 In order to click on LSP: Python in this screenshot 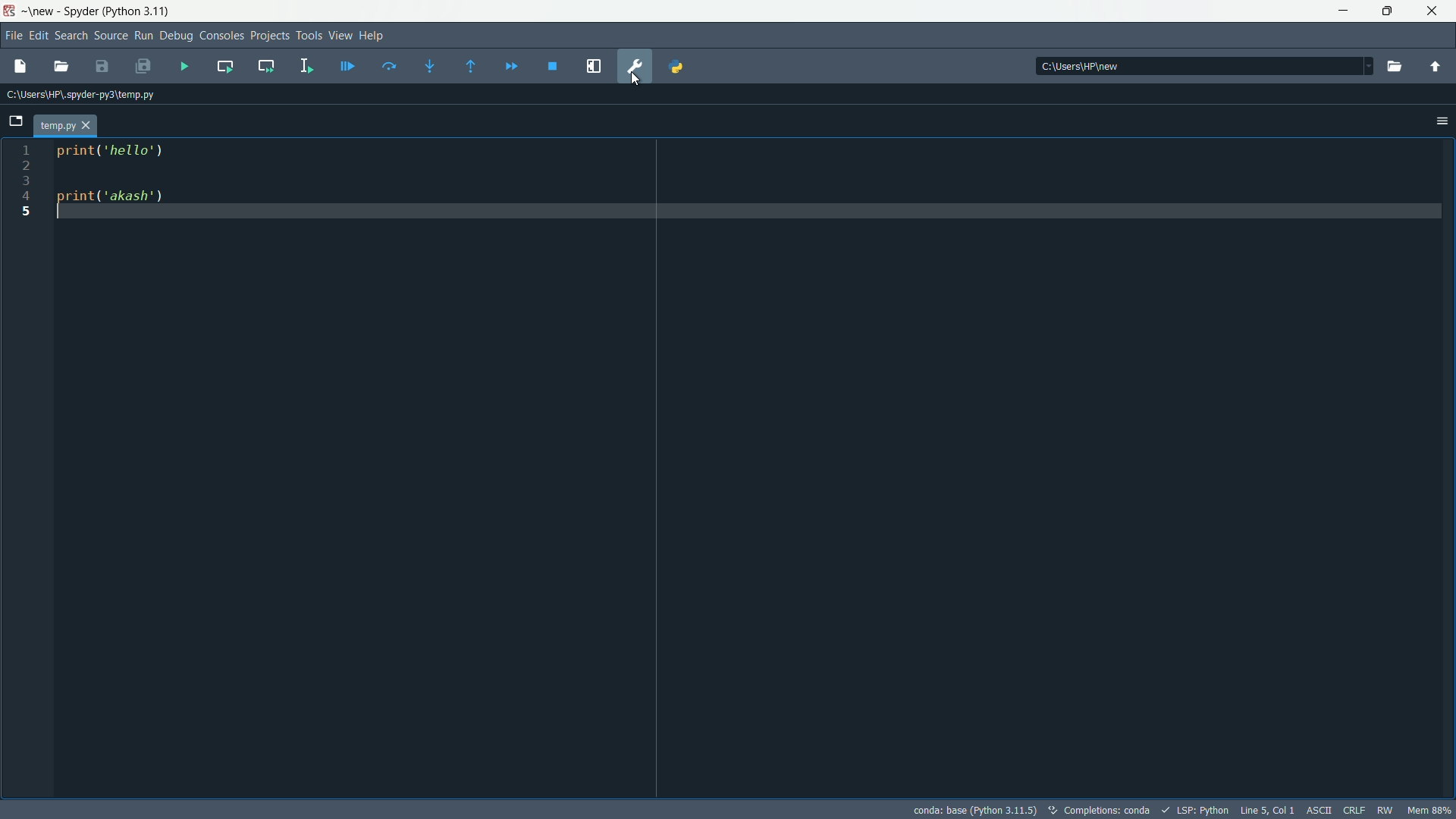, I will do `click(1194, 808)`.